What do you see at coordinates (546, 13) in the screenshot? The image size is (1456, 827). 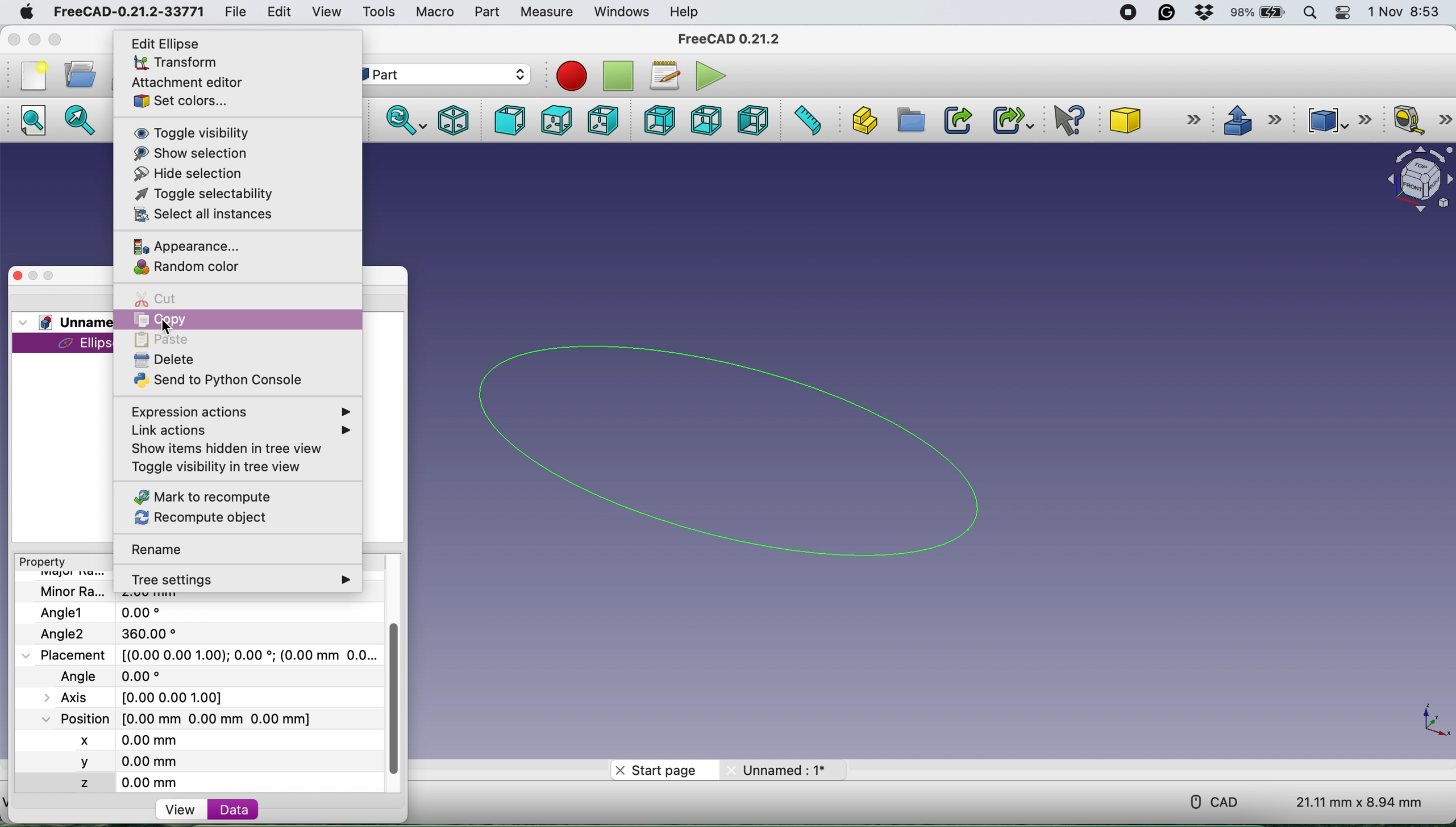 I see `measure` at bounding box center [546, 13].